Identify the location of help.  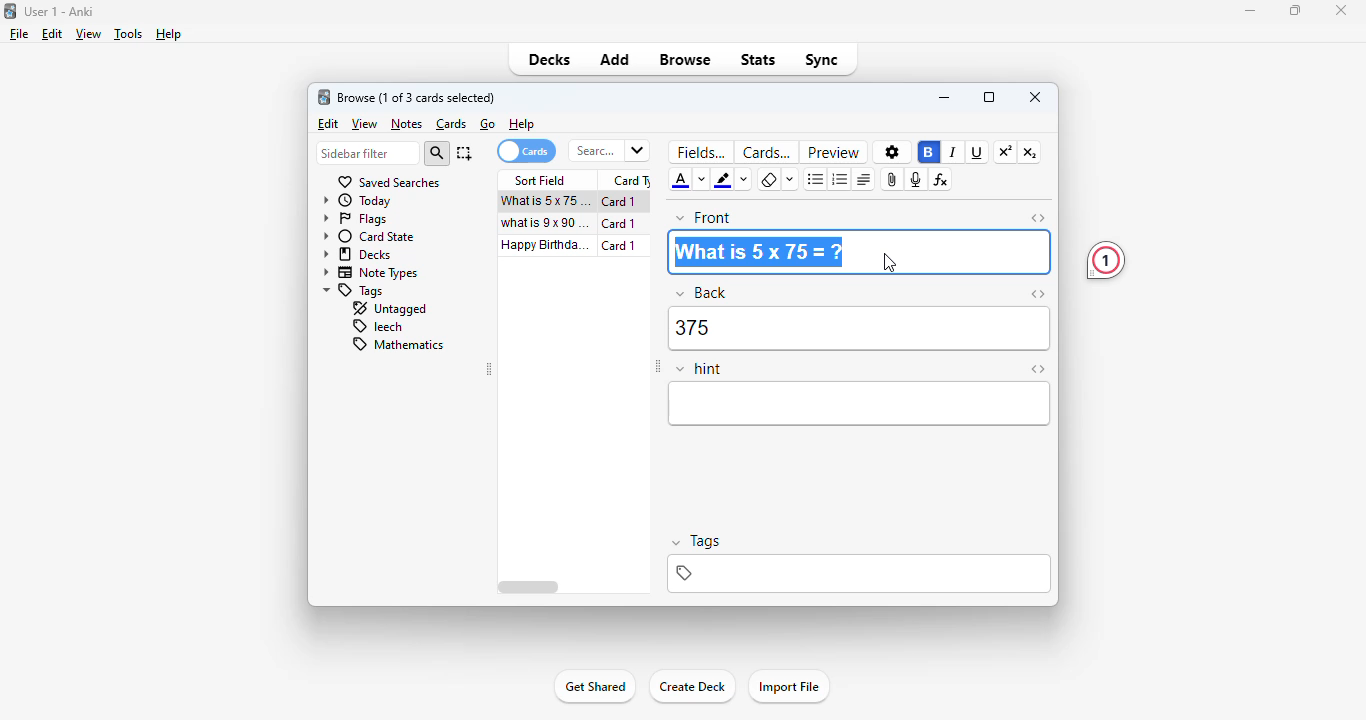
(522, 124).